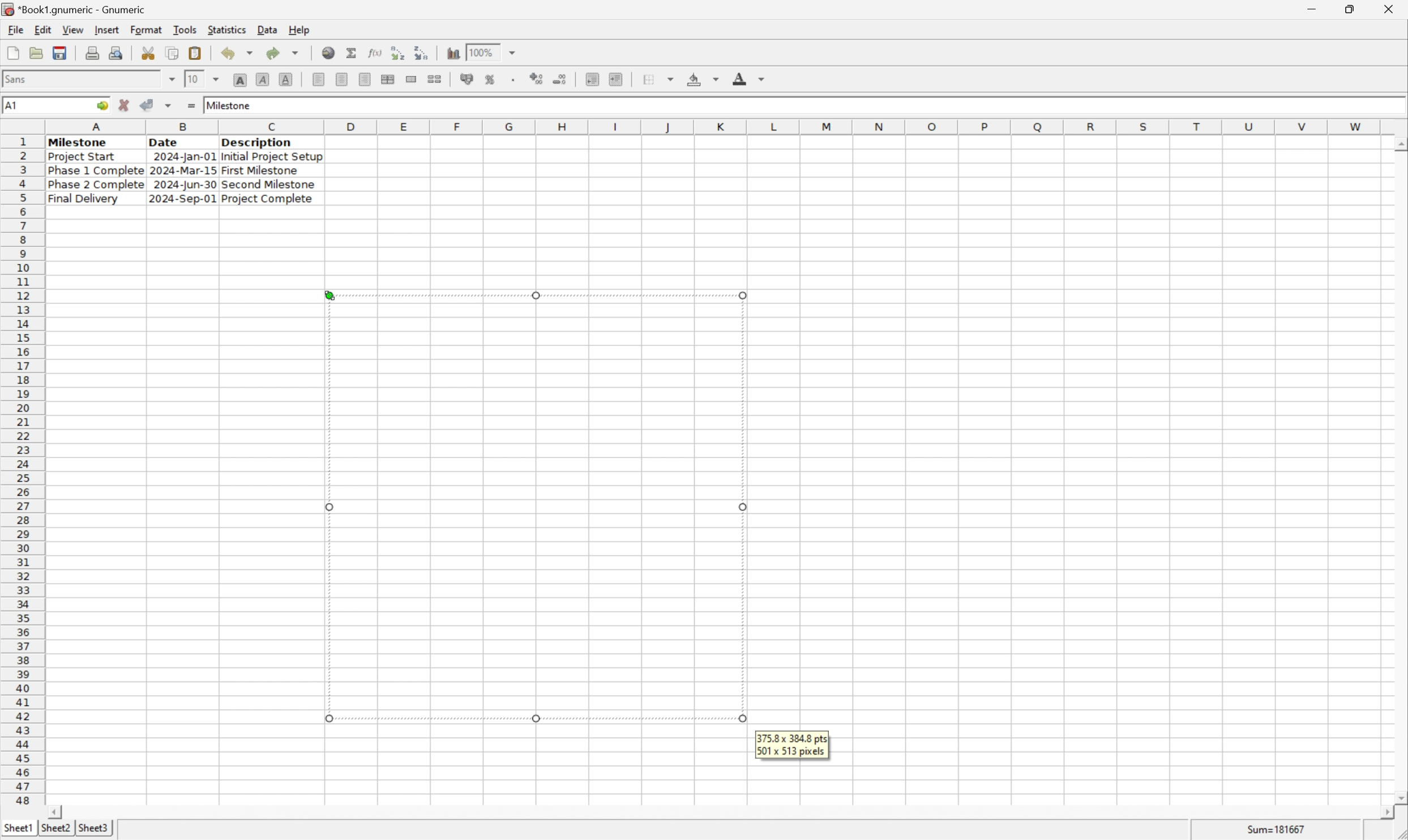 This screenshot has height=840, width=1408. I want to click on format, so click(145, 29).